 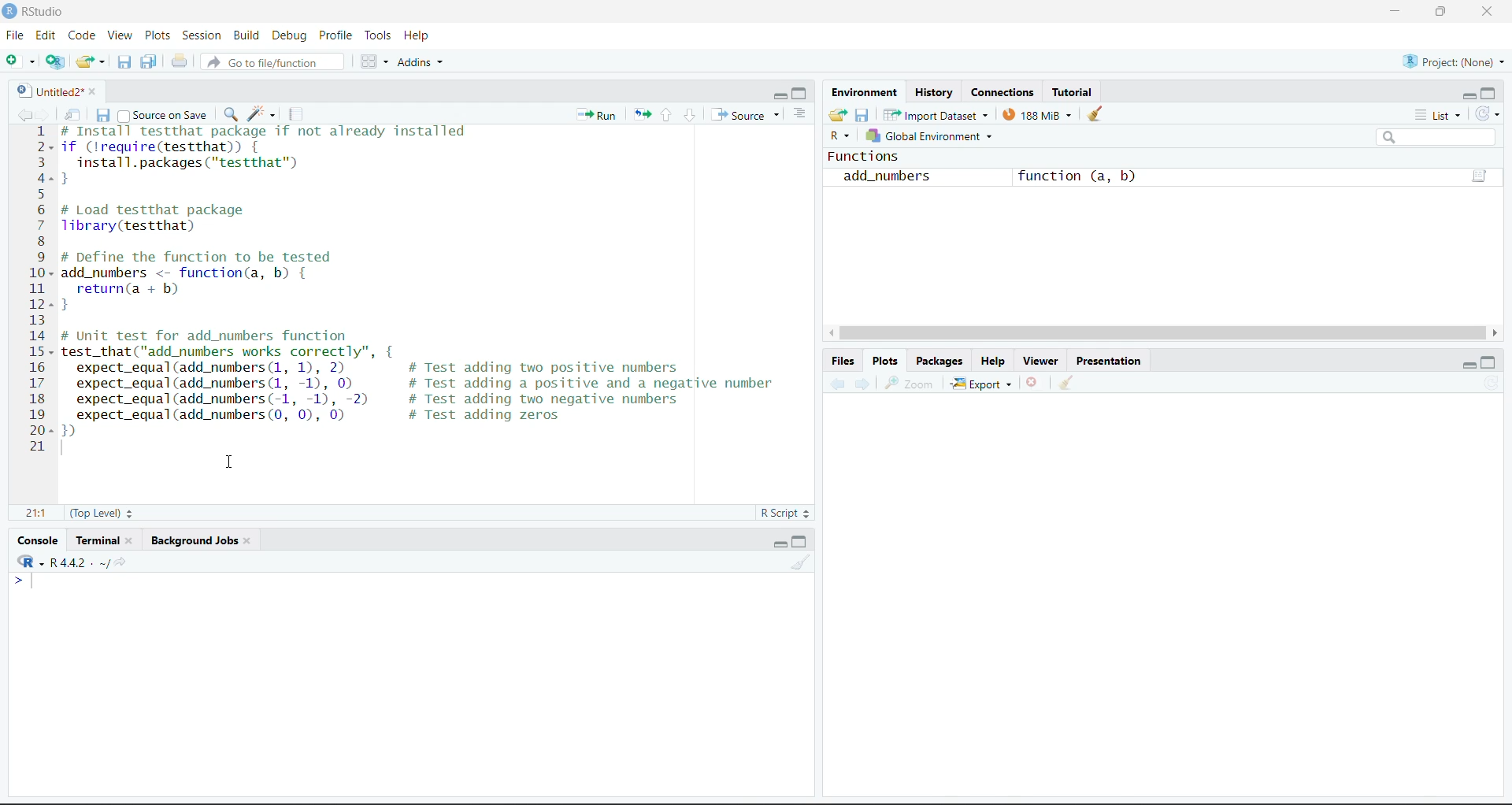 What do you see at coordinates (936, 115) in the screenshot?
I see `Import Dataset` at bounding box center [936, 115].